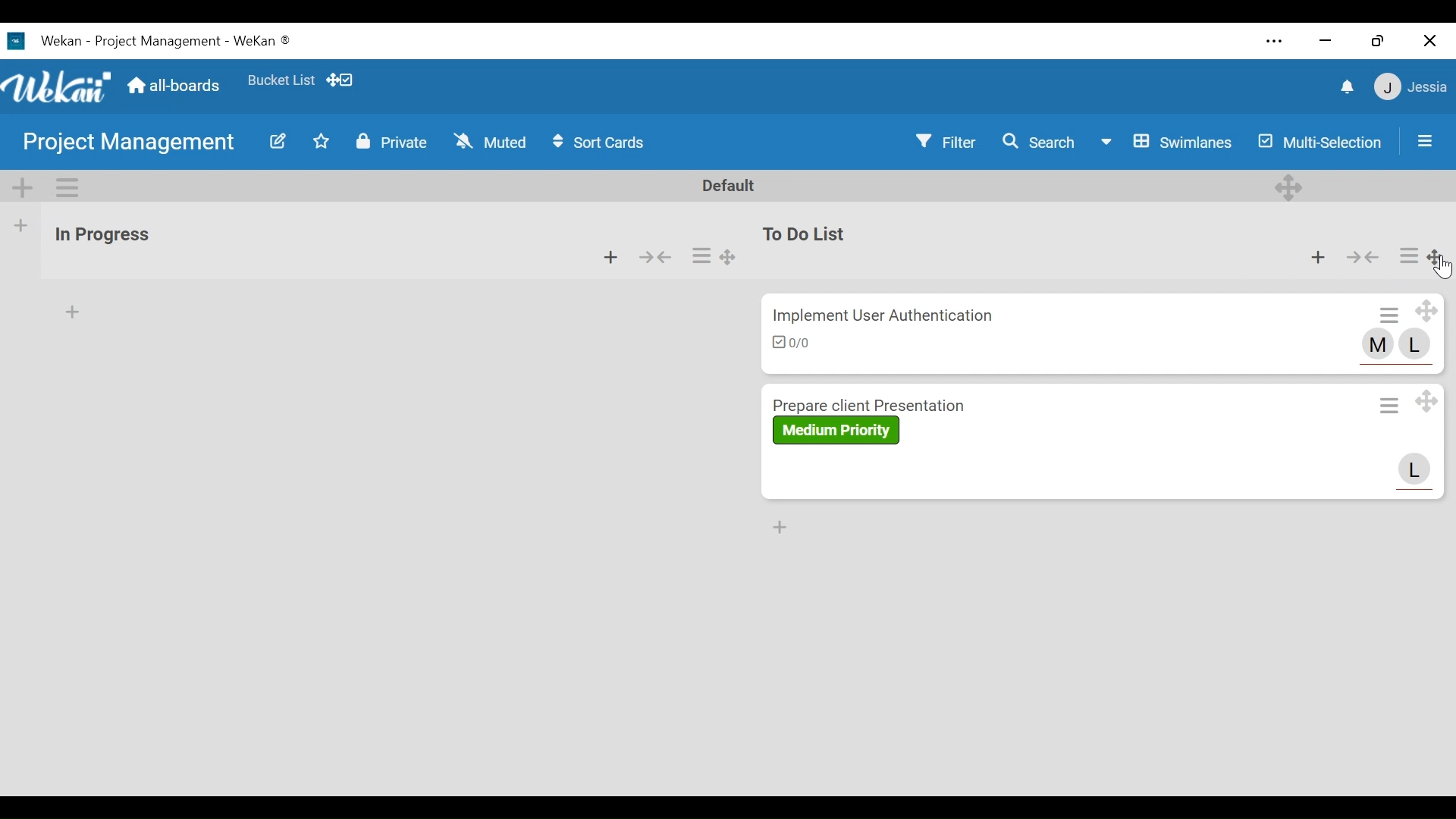  I want to click on Board View, so click(1167, 142).